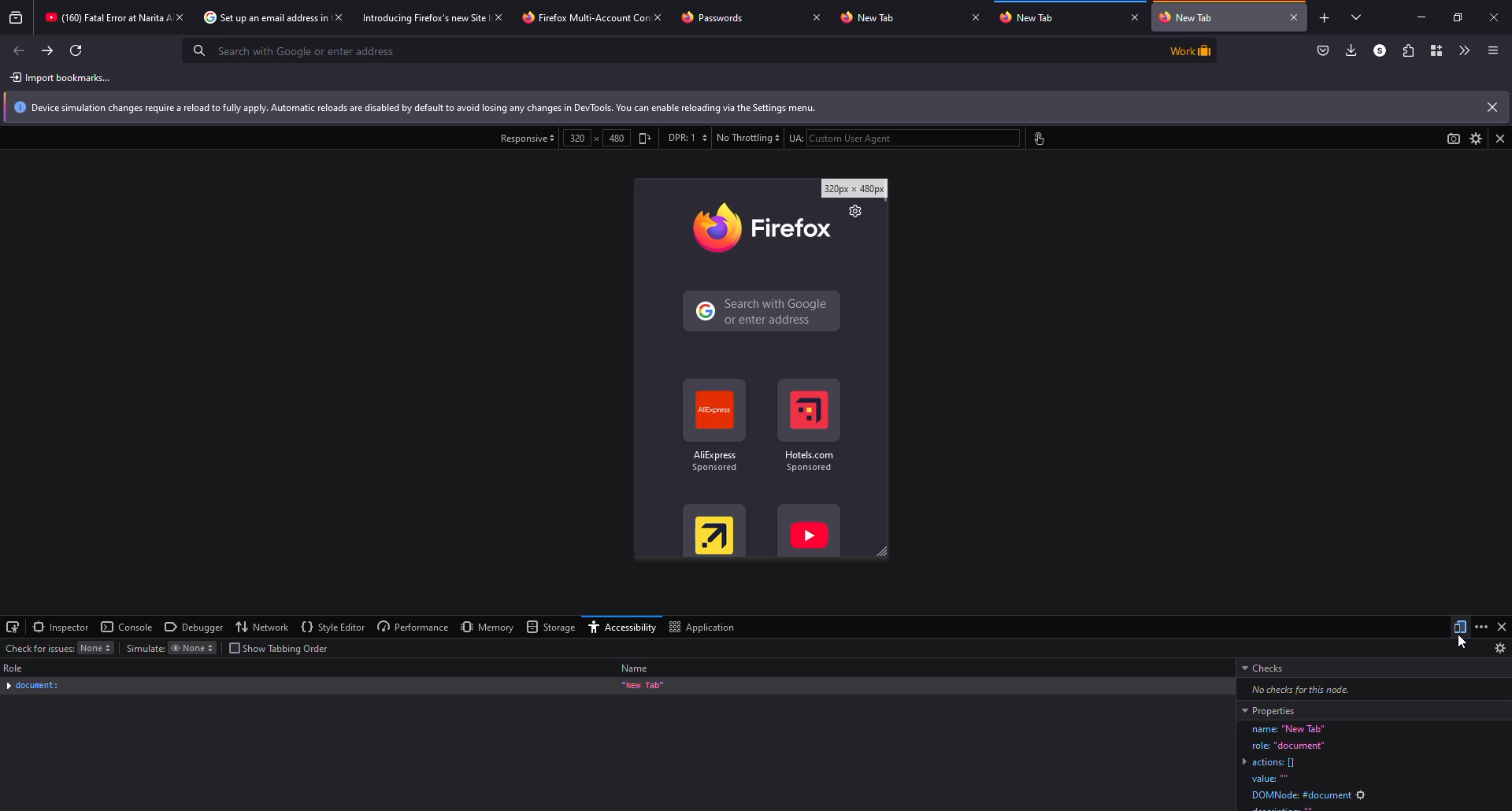 Image resolution: width=1512 pixels, height=811 pixels. I want to click on performance, so click(413, 627).